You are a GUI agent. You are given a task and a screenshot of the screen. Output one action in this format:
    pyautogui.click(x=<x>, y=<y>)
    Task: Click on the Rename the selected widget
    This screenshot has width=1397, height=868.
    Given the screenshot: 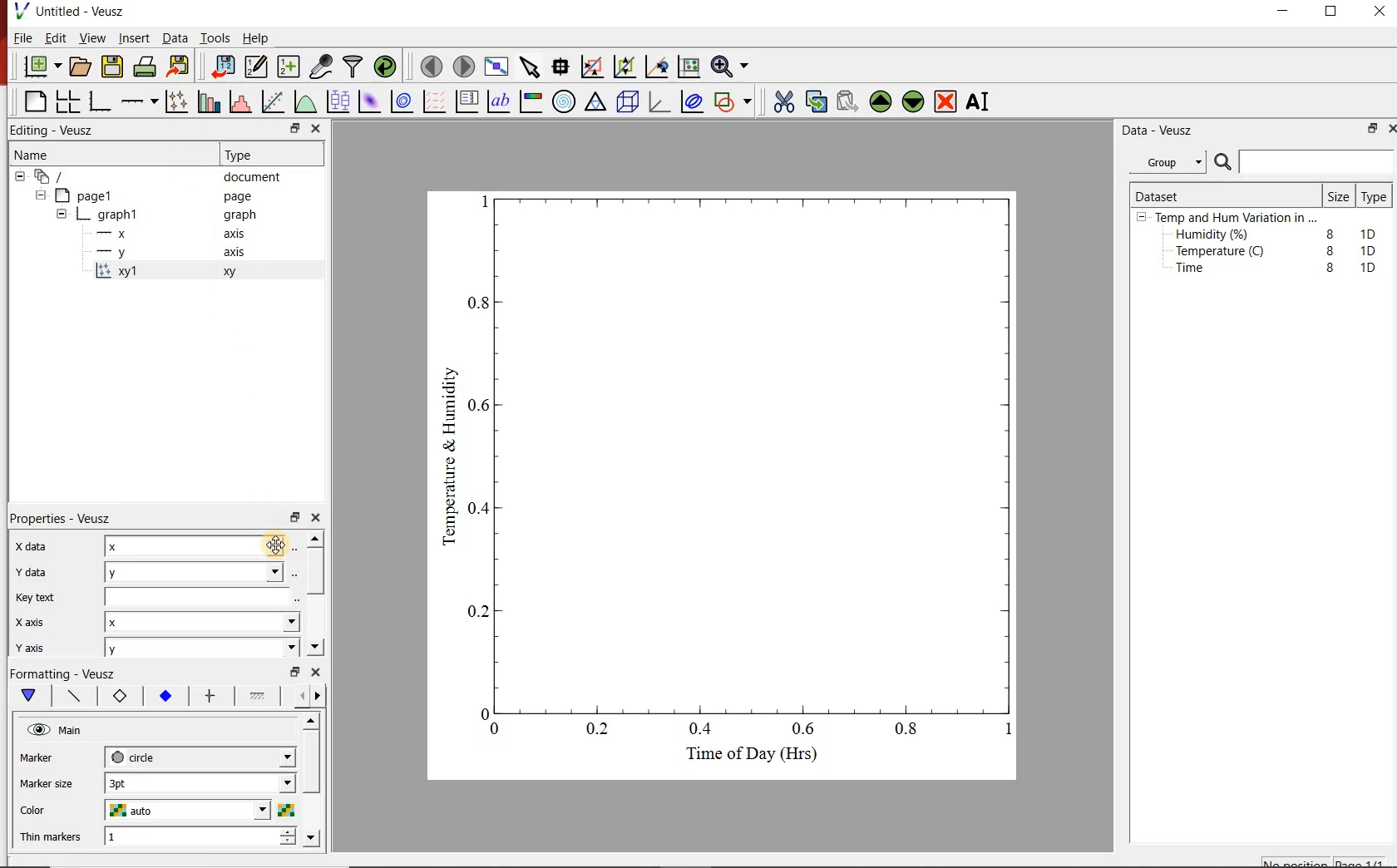 What is the action you would take?
    pyautogui.click(x=981, y=101)
    